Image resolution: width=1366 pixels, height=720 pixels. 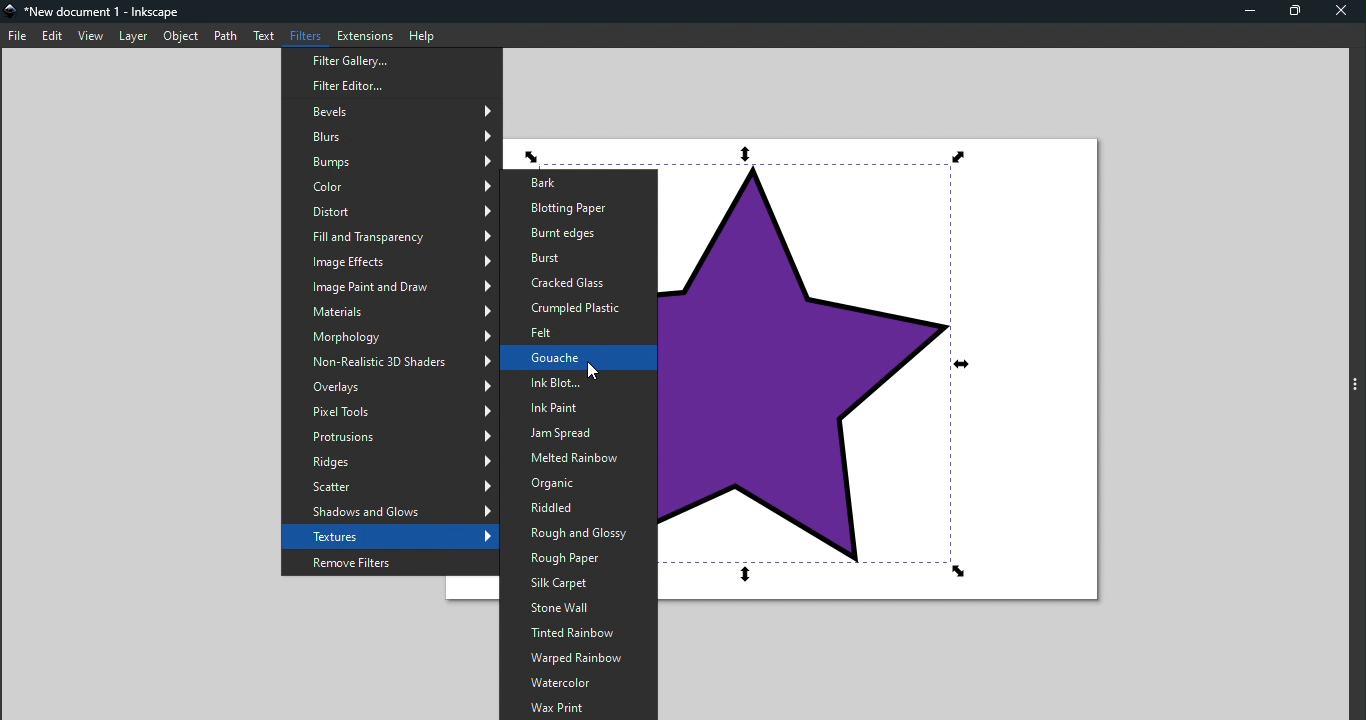 What do you see at coordinates (574, 535) in the screenshot?
I see `Rough and glossy` at bounding box center [574, 535].